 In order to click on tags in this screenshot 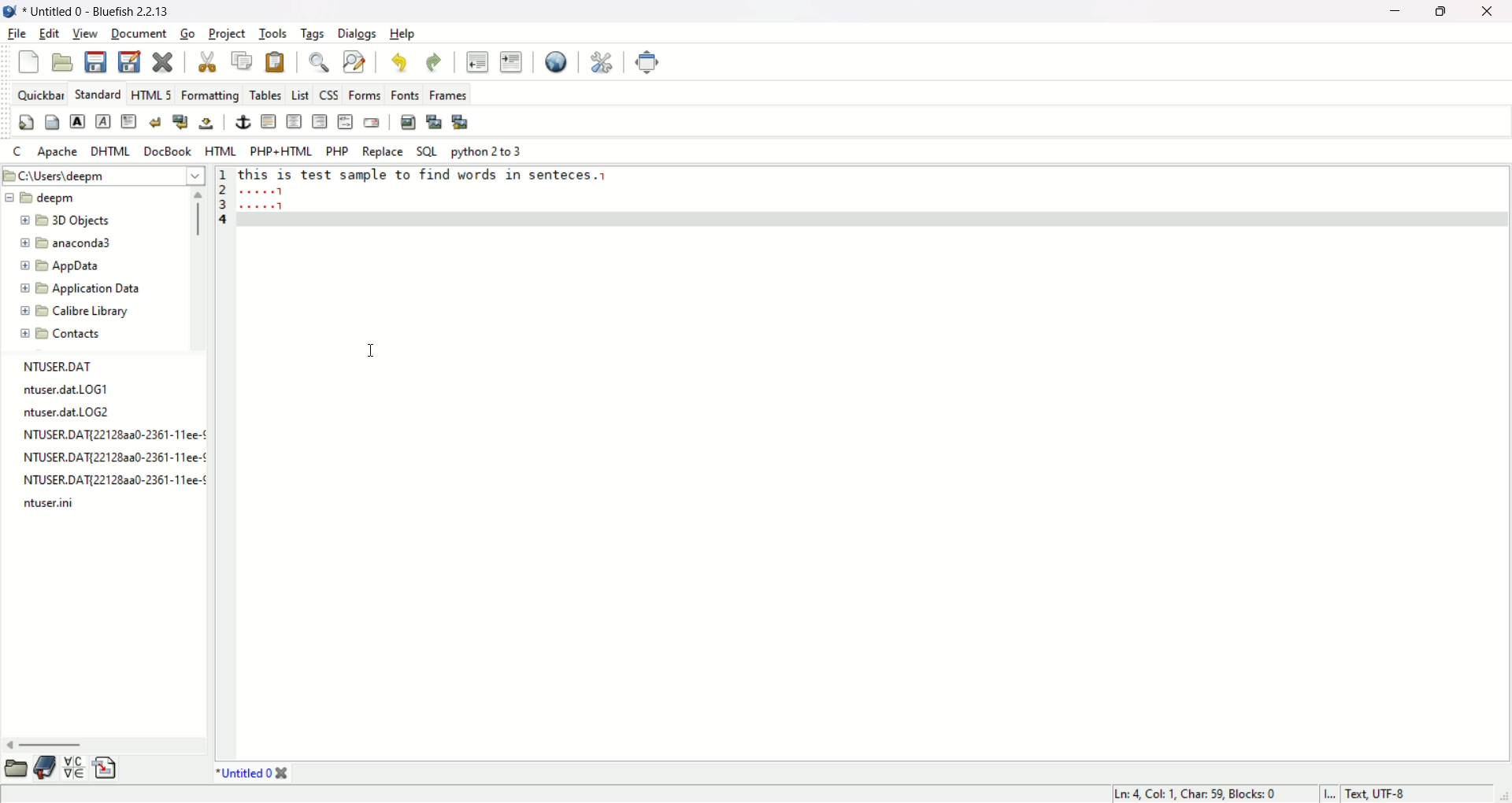, I will do `click(312, 33)`.